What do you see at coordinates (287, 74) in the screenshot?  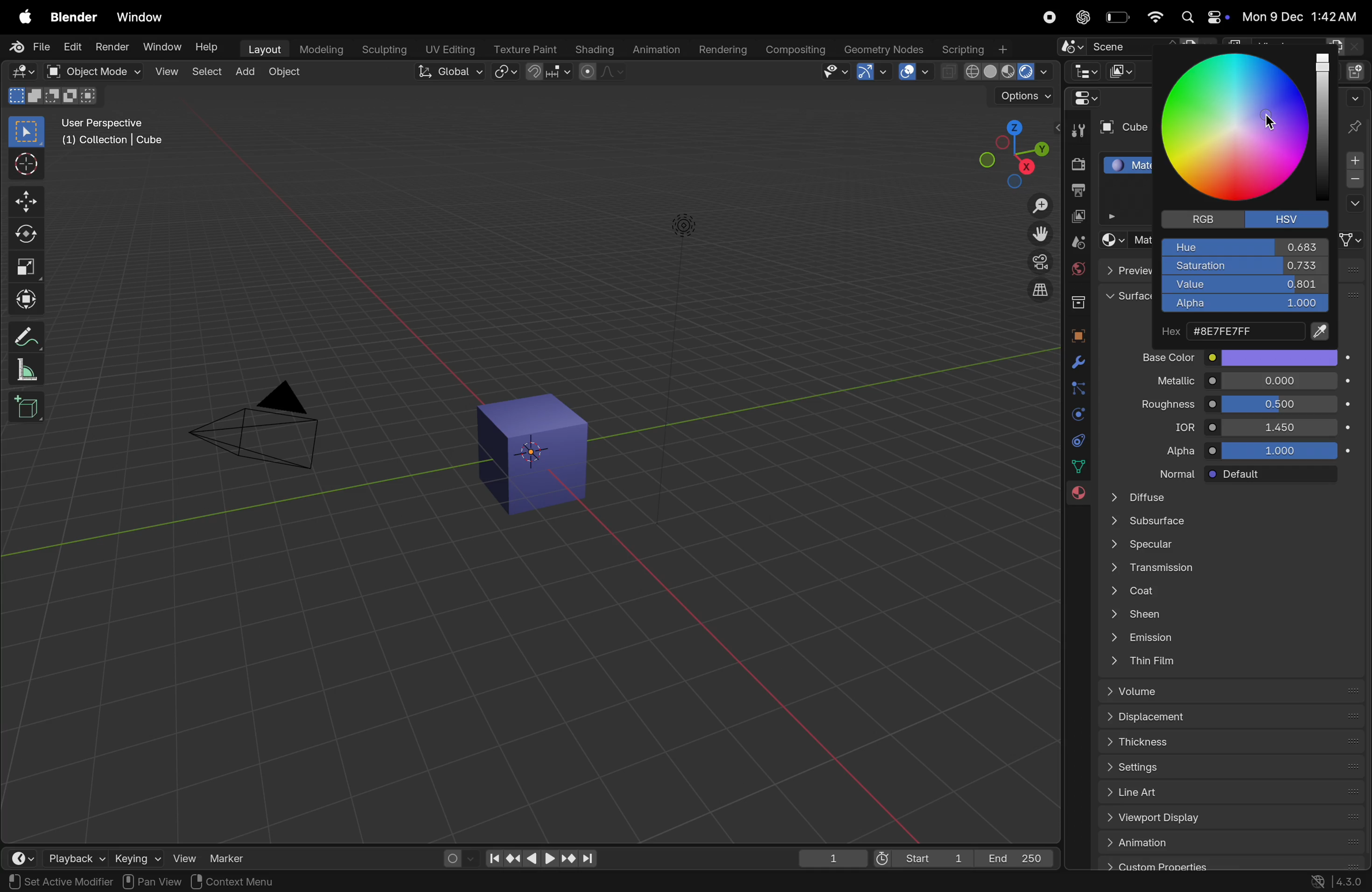 I see `object mode` at bounding box center [287, 74].